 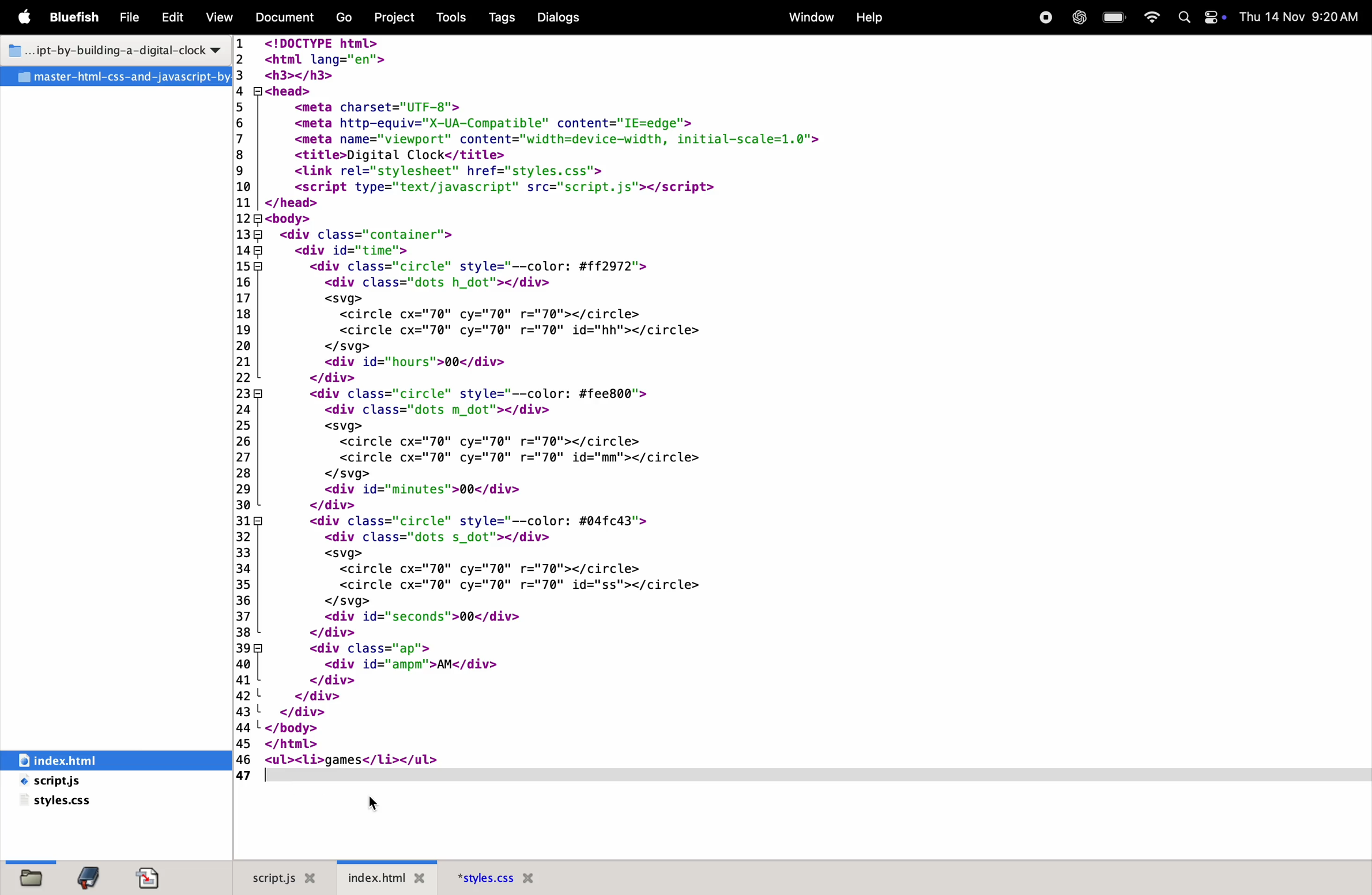 I want to click on help, so click(x=869, y=17).